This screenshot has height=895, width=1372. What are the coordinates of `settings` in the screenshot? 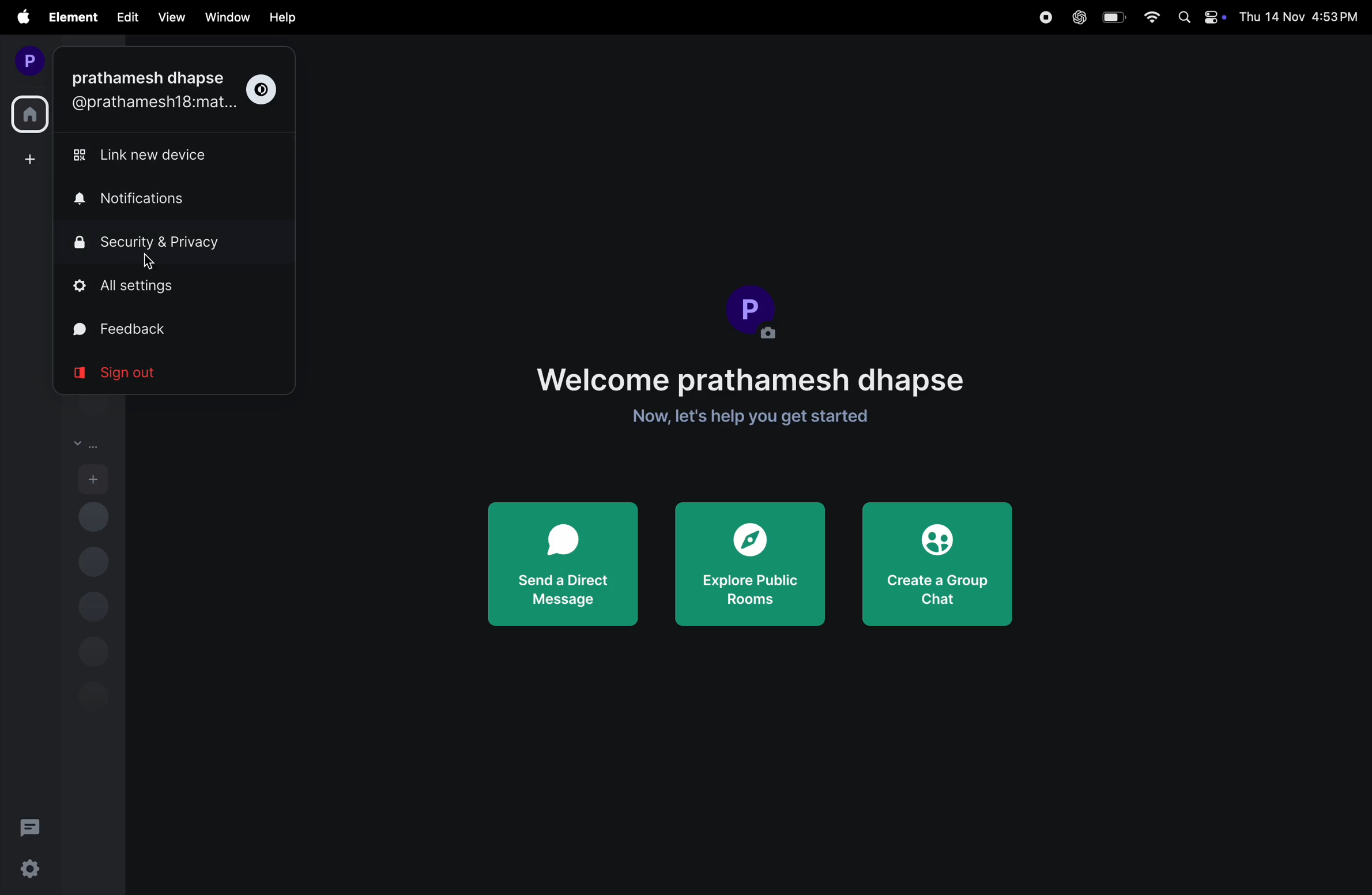 It's located at (31, 871).